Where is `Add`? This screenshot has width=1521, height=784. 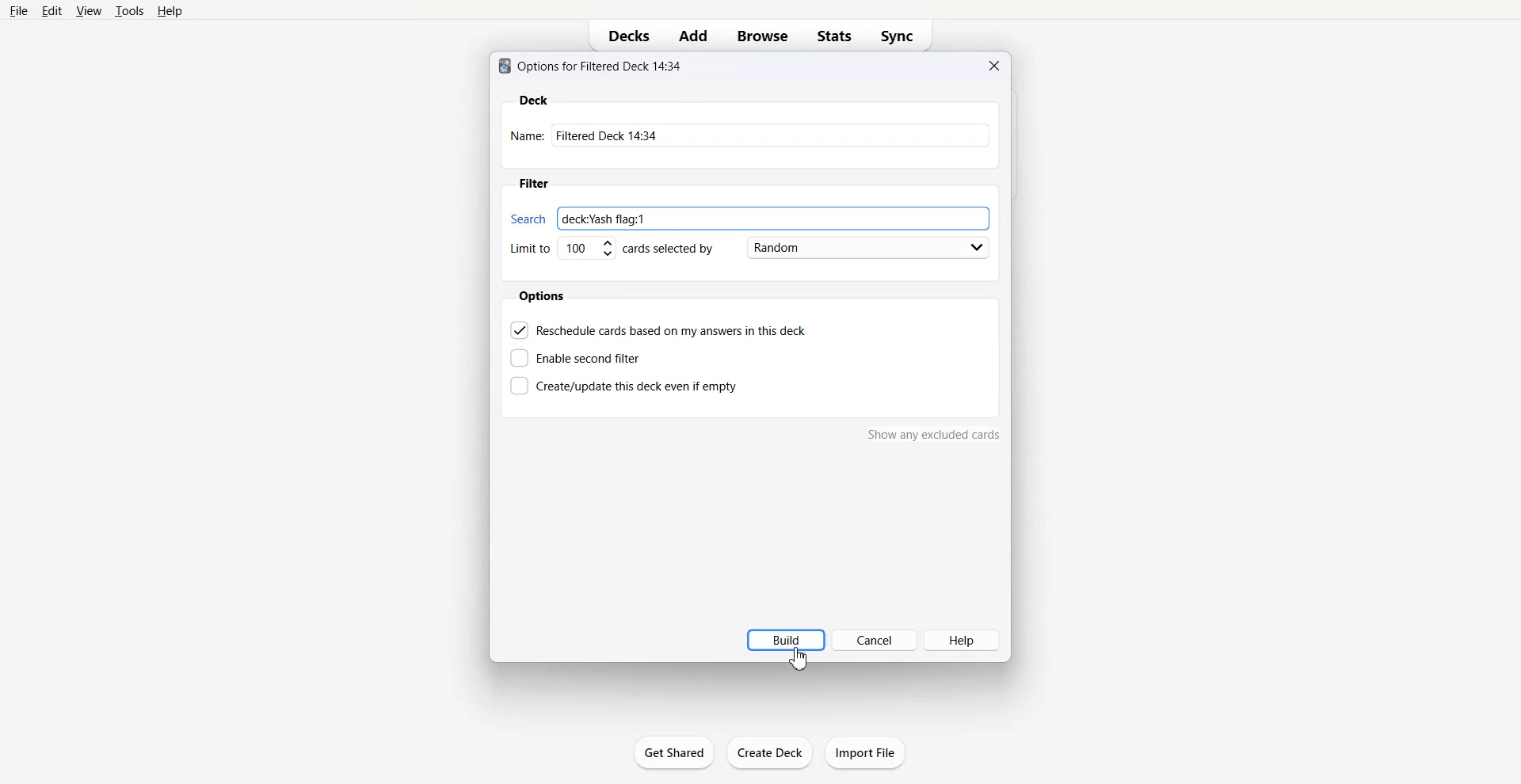 Add is located at coordinates (693, 36).